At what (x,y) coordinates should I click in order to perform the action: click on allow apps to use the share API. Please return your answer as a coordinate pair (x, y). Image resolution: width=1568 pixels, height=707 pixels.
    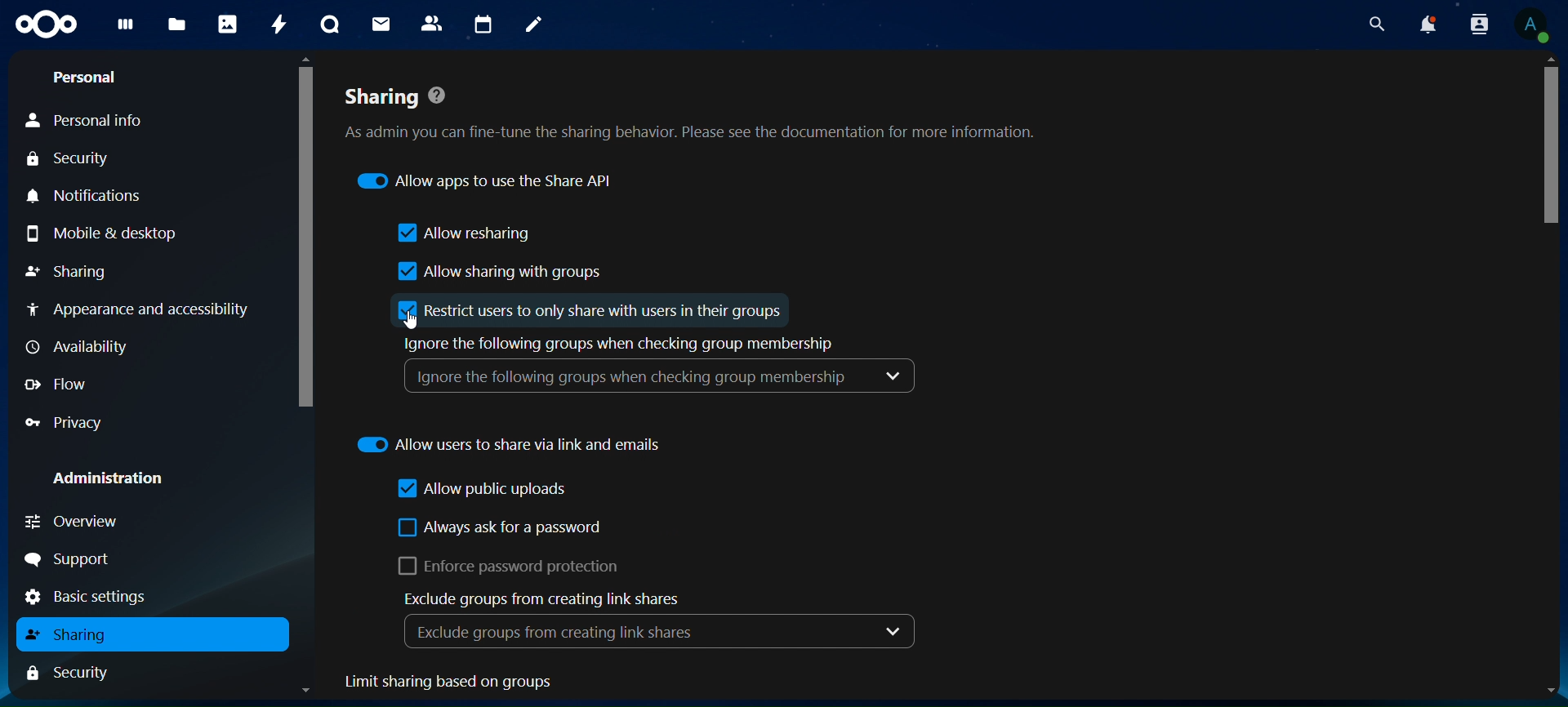
    Looking at the image, I should click on (490, 182).